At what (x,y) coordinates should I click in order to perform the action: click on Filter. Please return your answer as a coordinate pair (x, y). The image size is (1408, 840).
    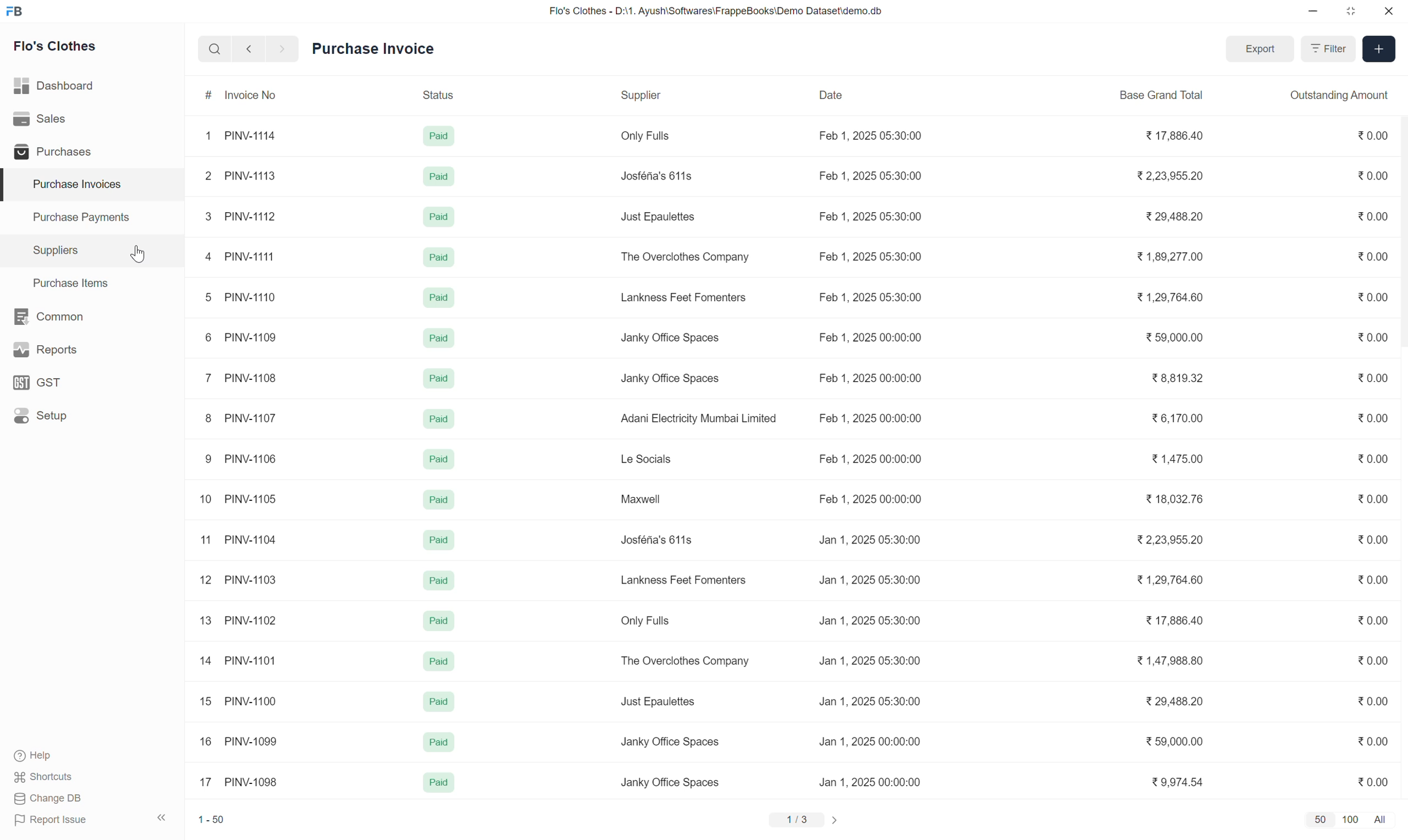
    Looking at the image, I should click on (1326, 48).